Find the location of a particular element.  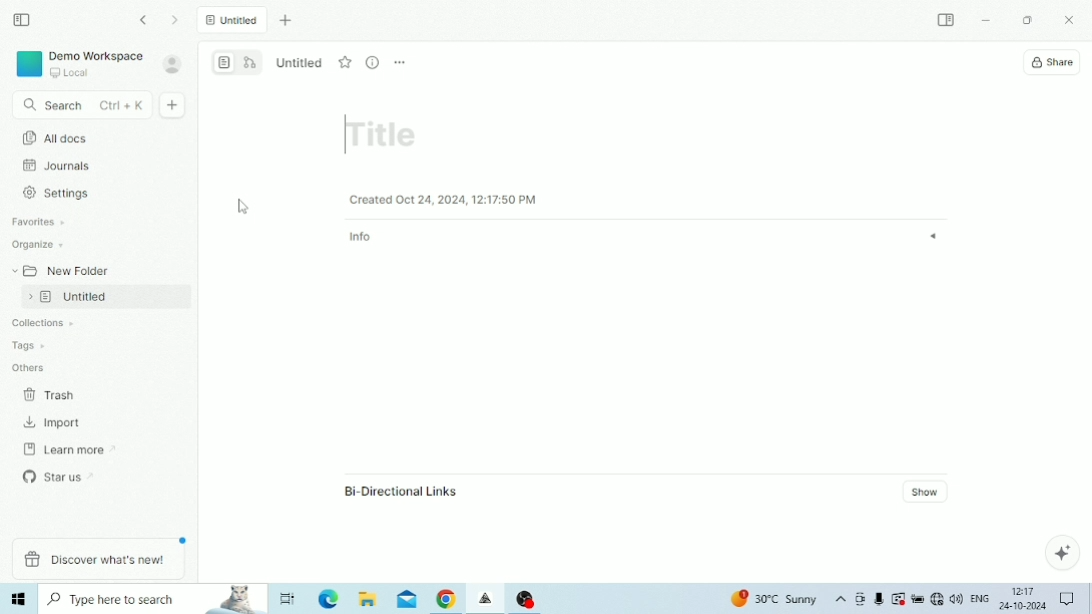

Title is located at coordinates (384, 132).